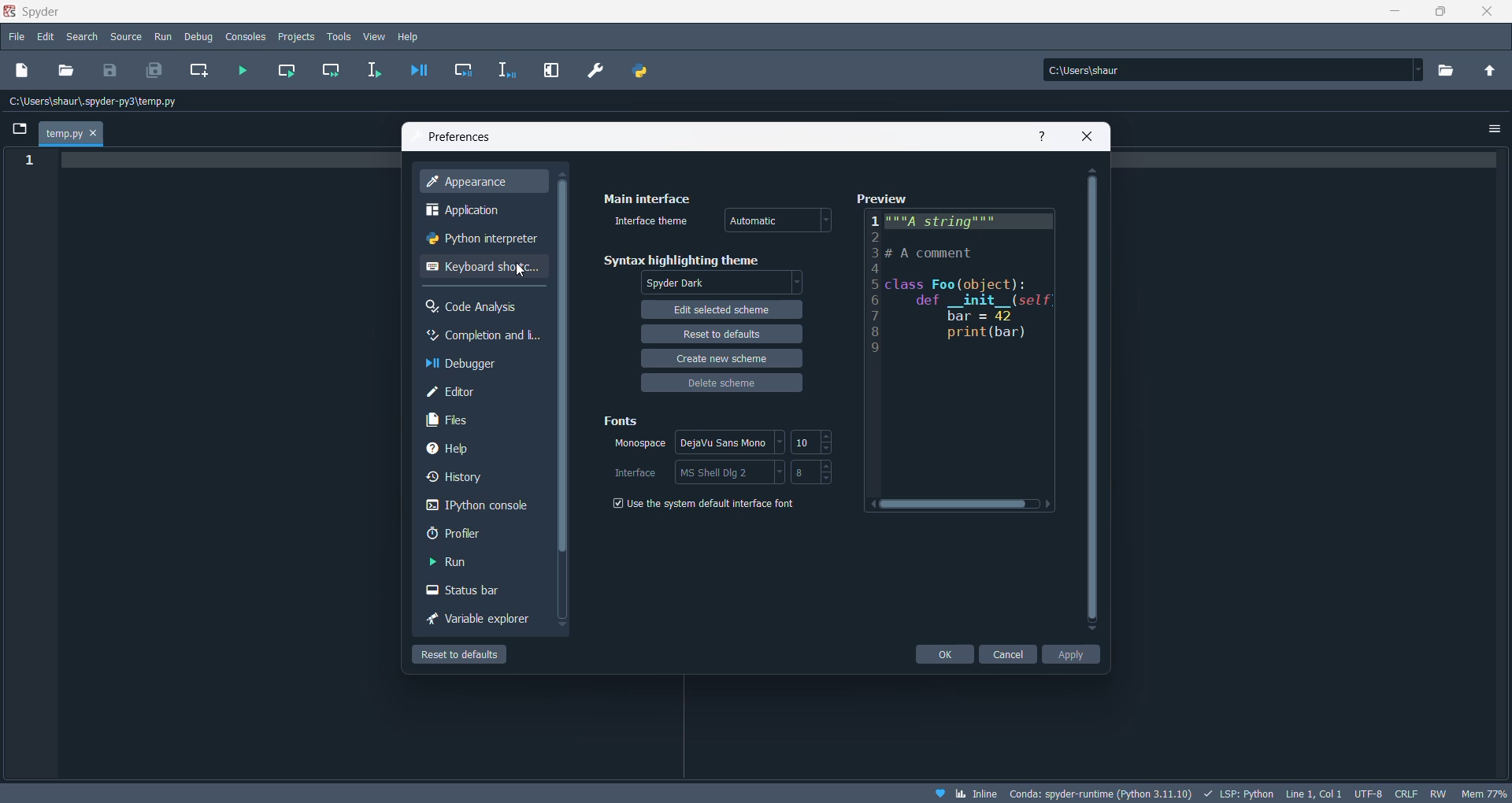  What do you see at coordinates (17, 128) in the screenshot?
I see `screen` at bounding box center [17, 128].